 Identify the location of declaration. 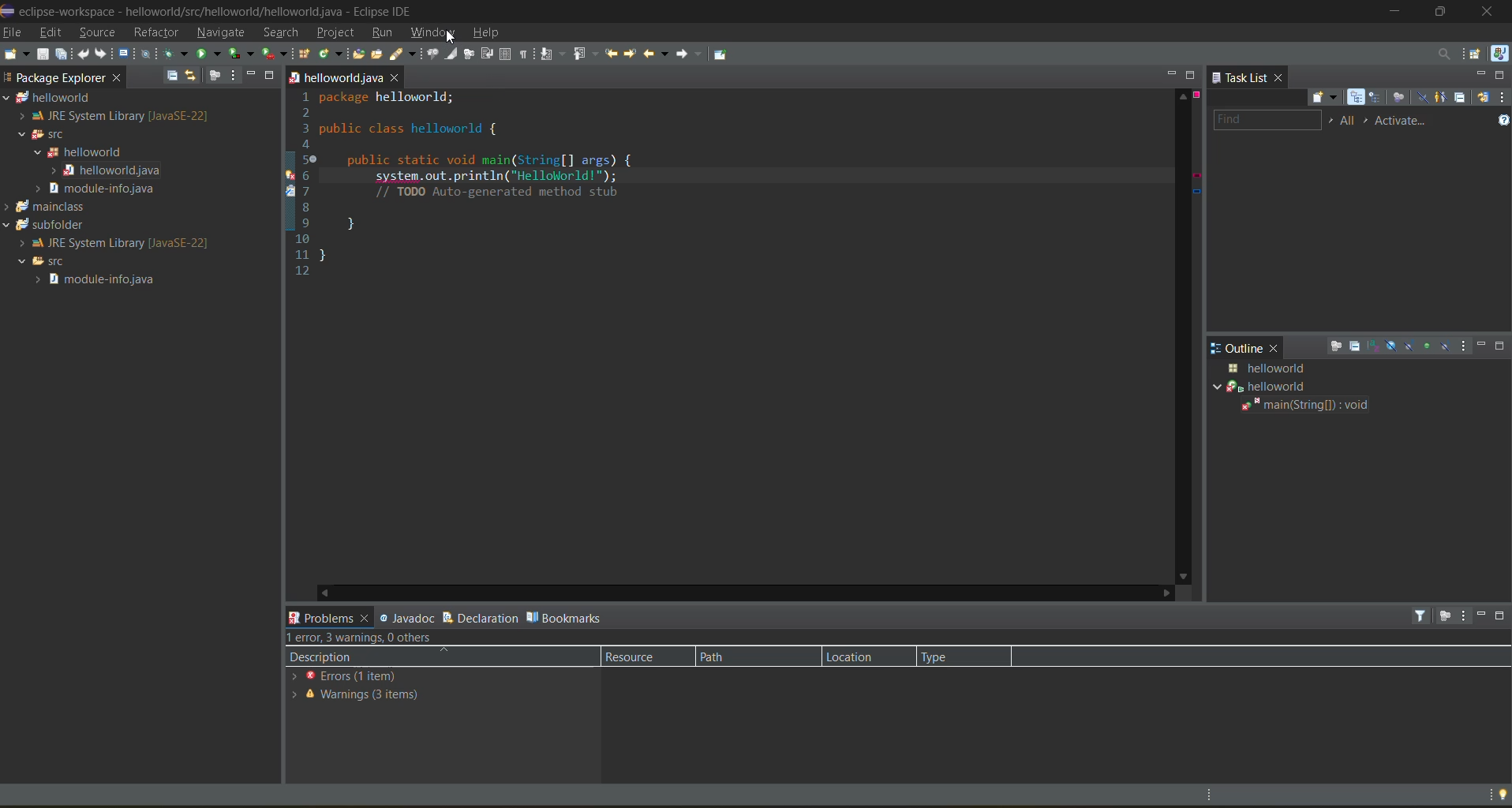
(485, 616).